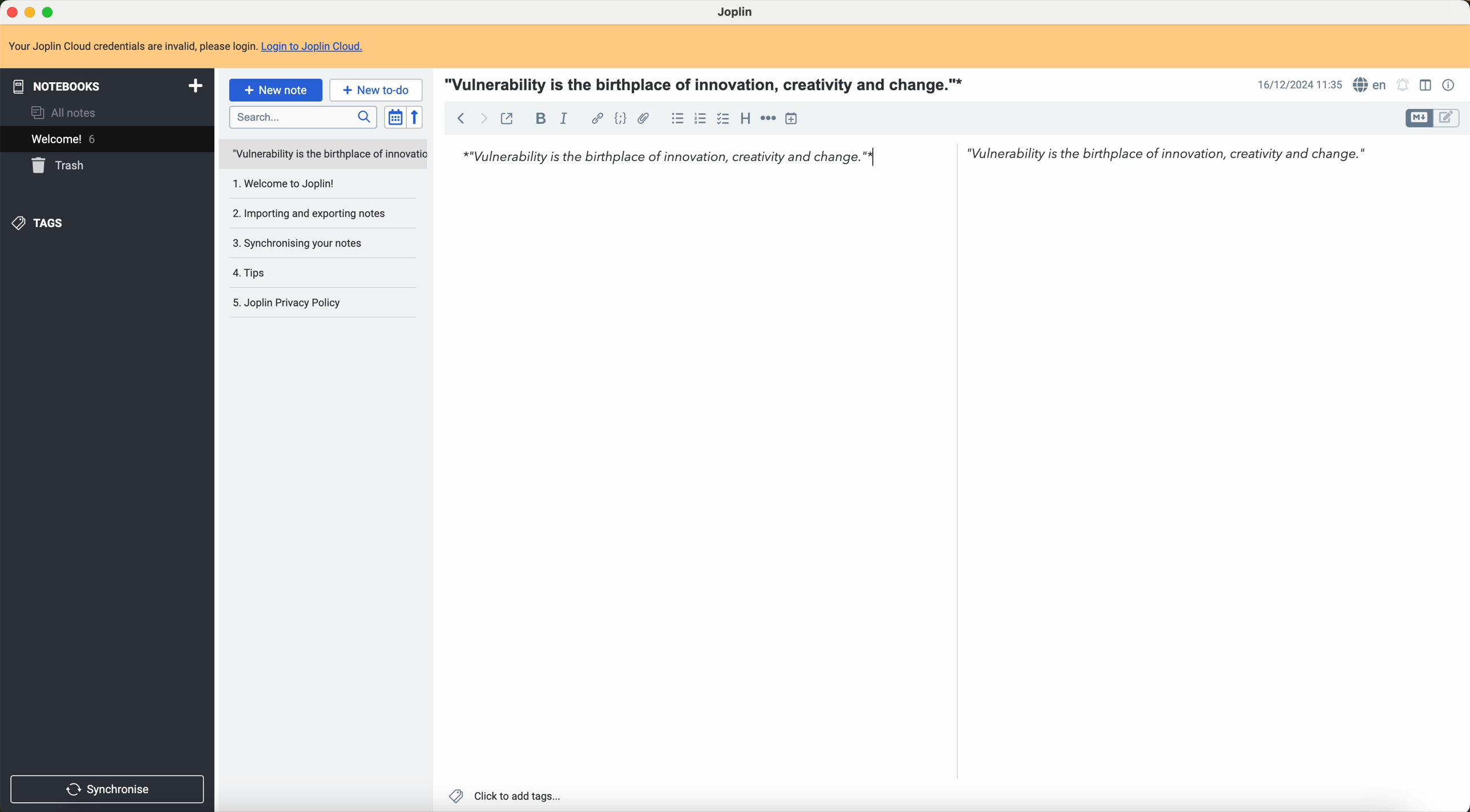  Describe the element at coordinates (66, 140) in the screenshot. I see `welcome` at that location.